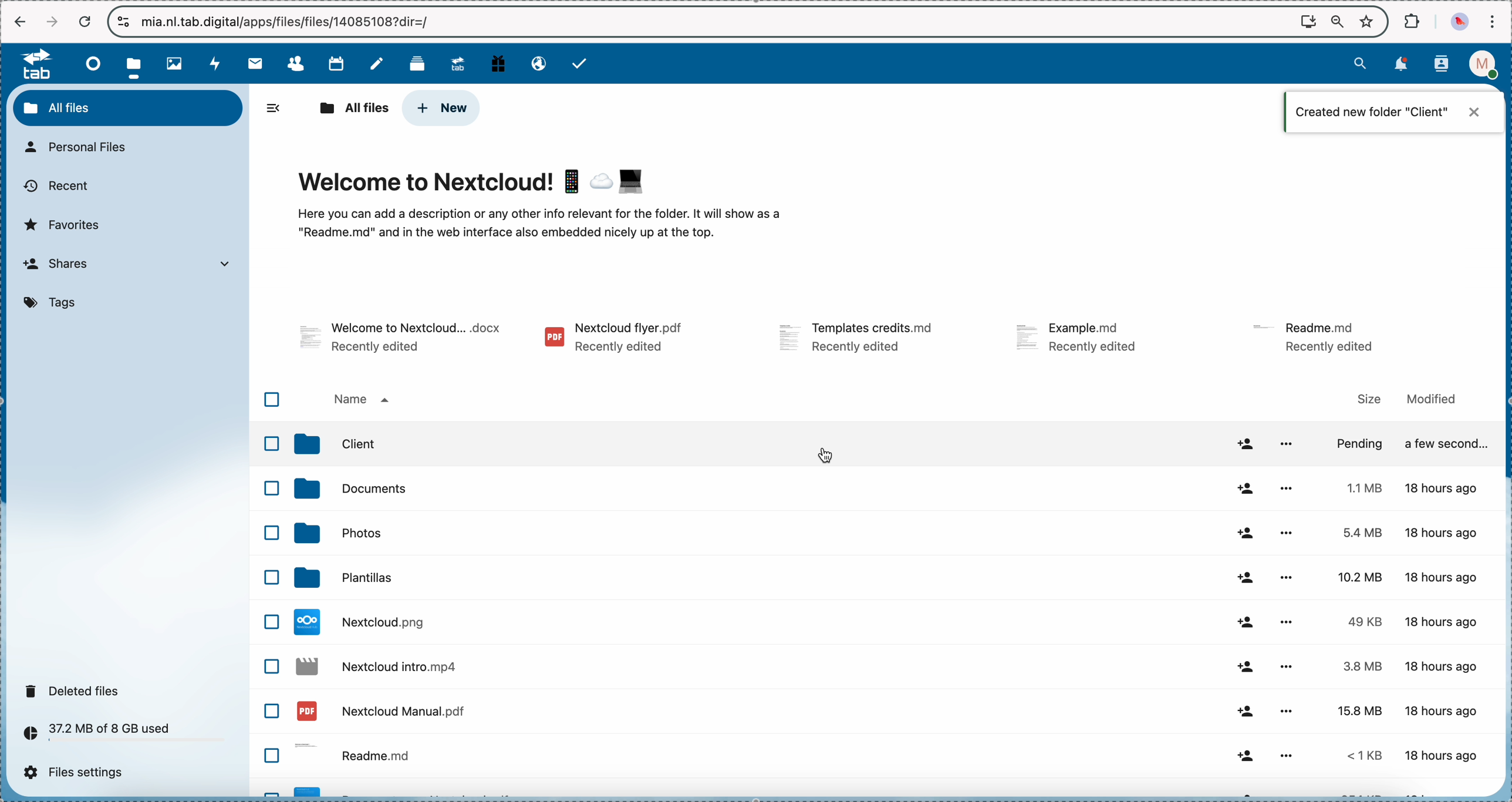 The image size is (1512, 802). Describe the element at coordinates (581, 63) in the screenshot. I see `tasks` at that location.